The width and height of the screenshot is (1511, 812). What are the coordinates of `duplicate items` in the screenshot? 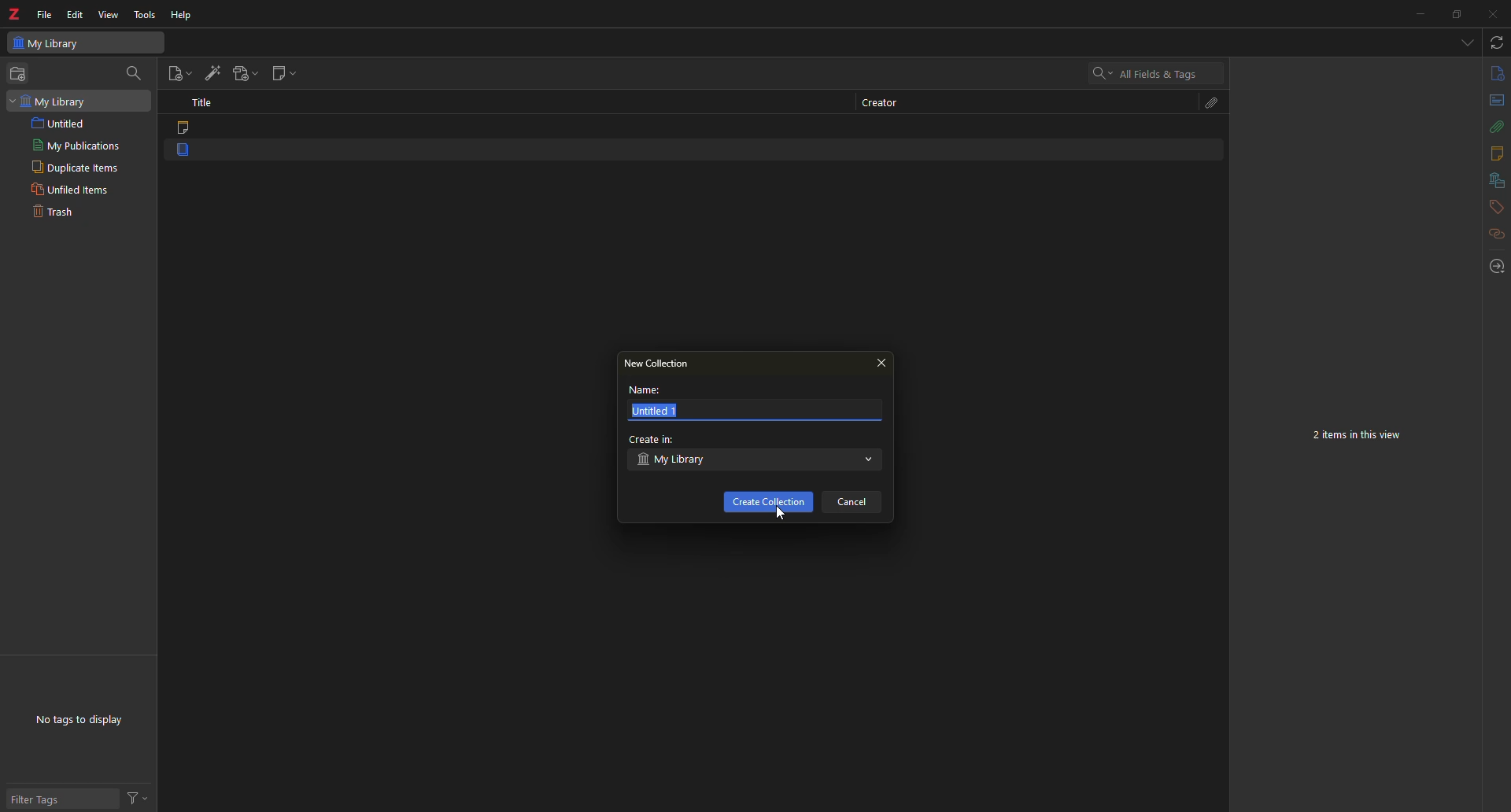 It's located at (73, 167).